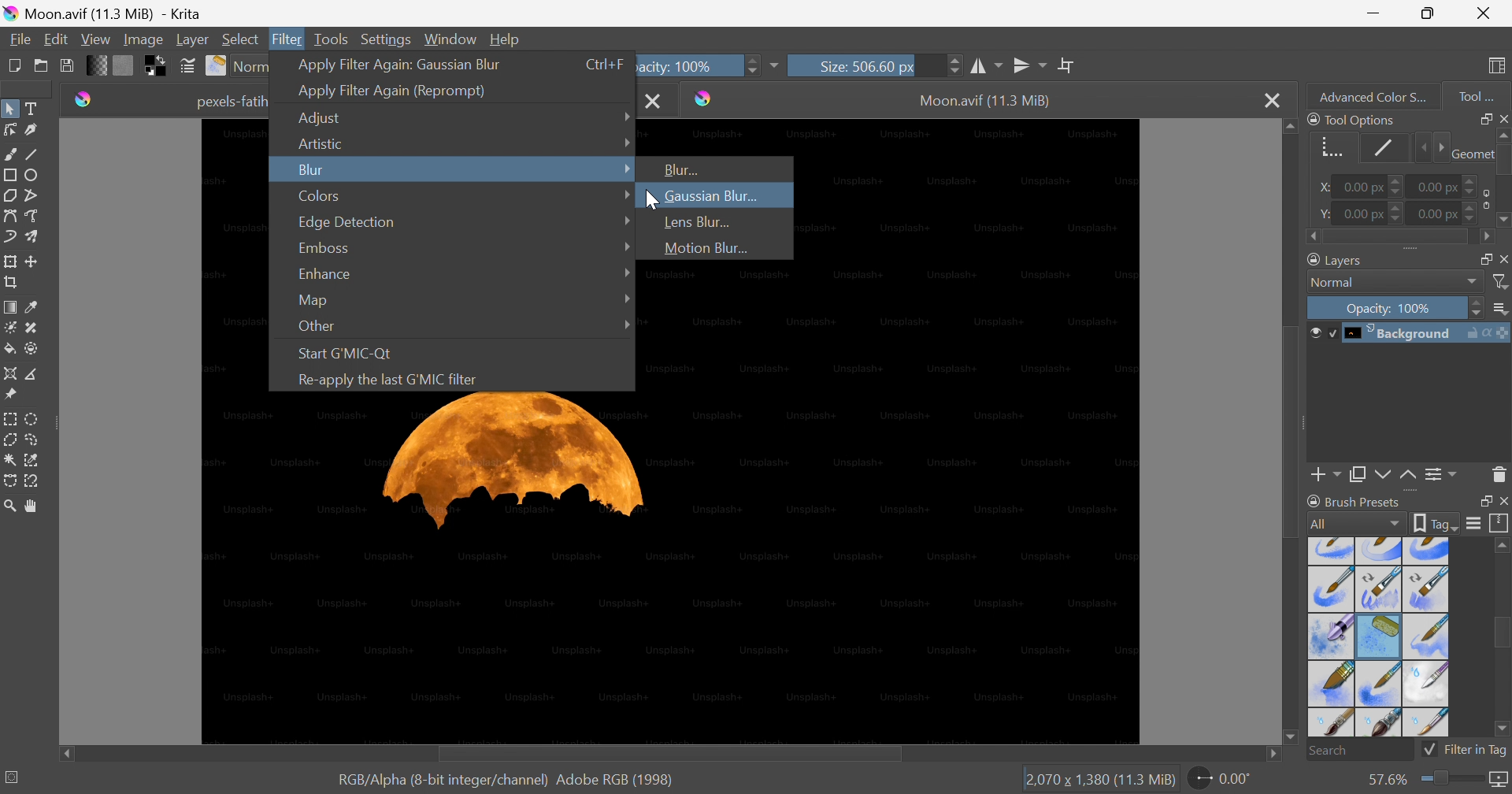  I want to click on Restore down, so click(1428, 13).